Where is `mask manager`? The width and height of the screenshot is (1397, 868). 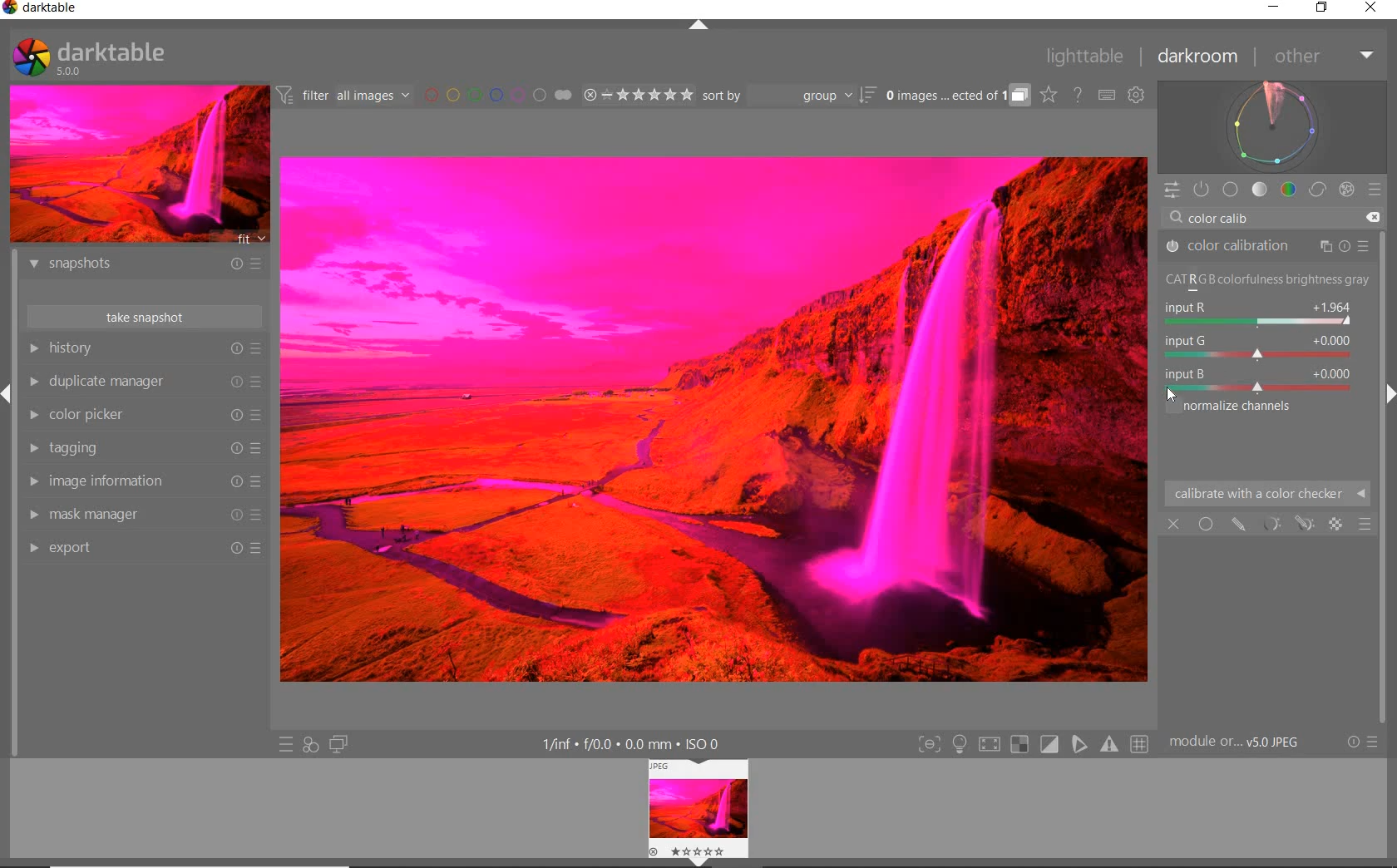
mask manager is located at coordinates (146, 515).